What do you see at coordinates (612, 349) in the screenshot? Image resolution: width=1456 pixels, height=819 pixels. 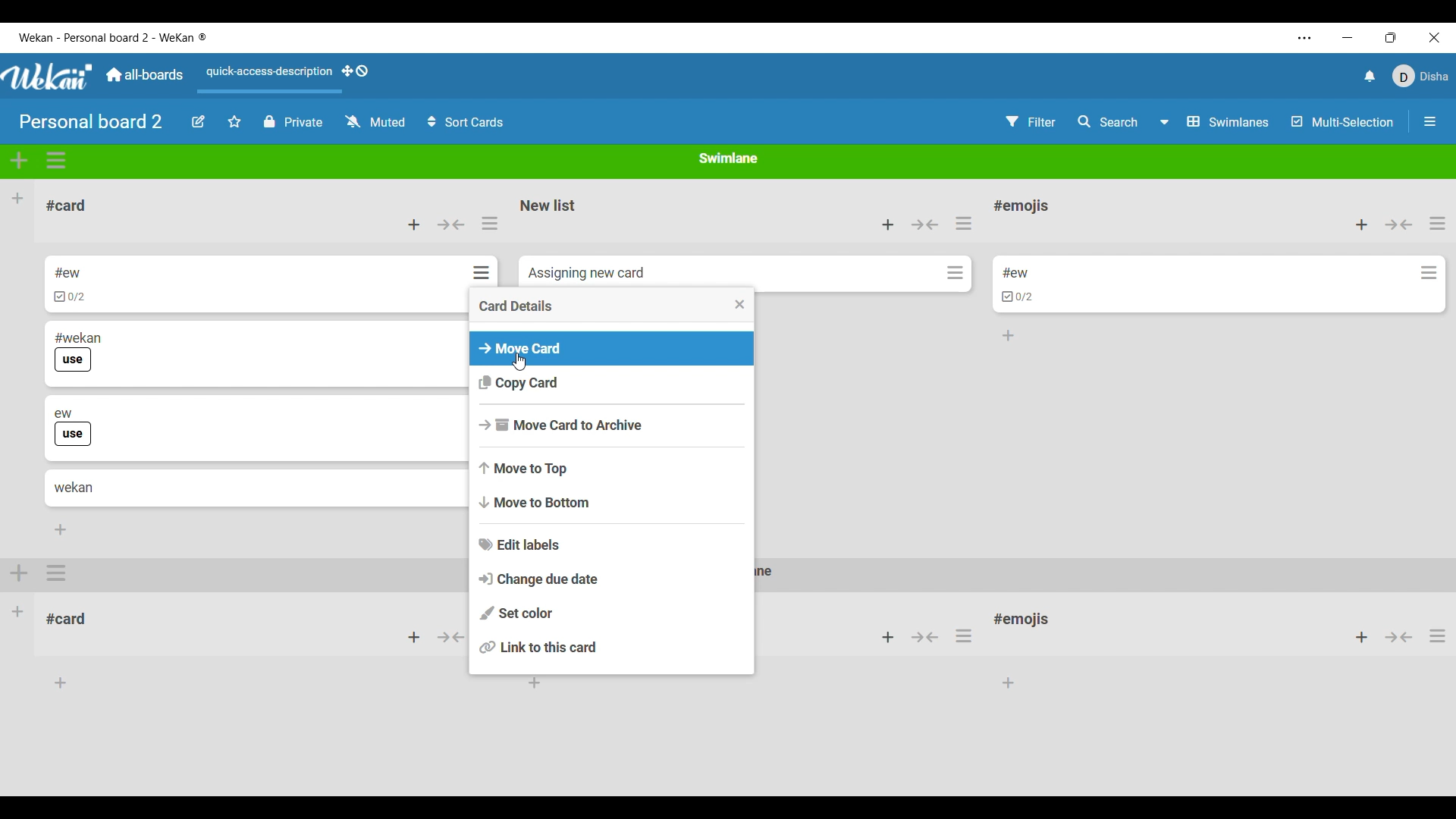 I see `Move card, highlighted by cursor` at bounding box center [612, 349].